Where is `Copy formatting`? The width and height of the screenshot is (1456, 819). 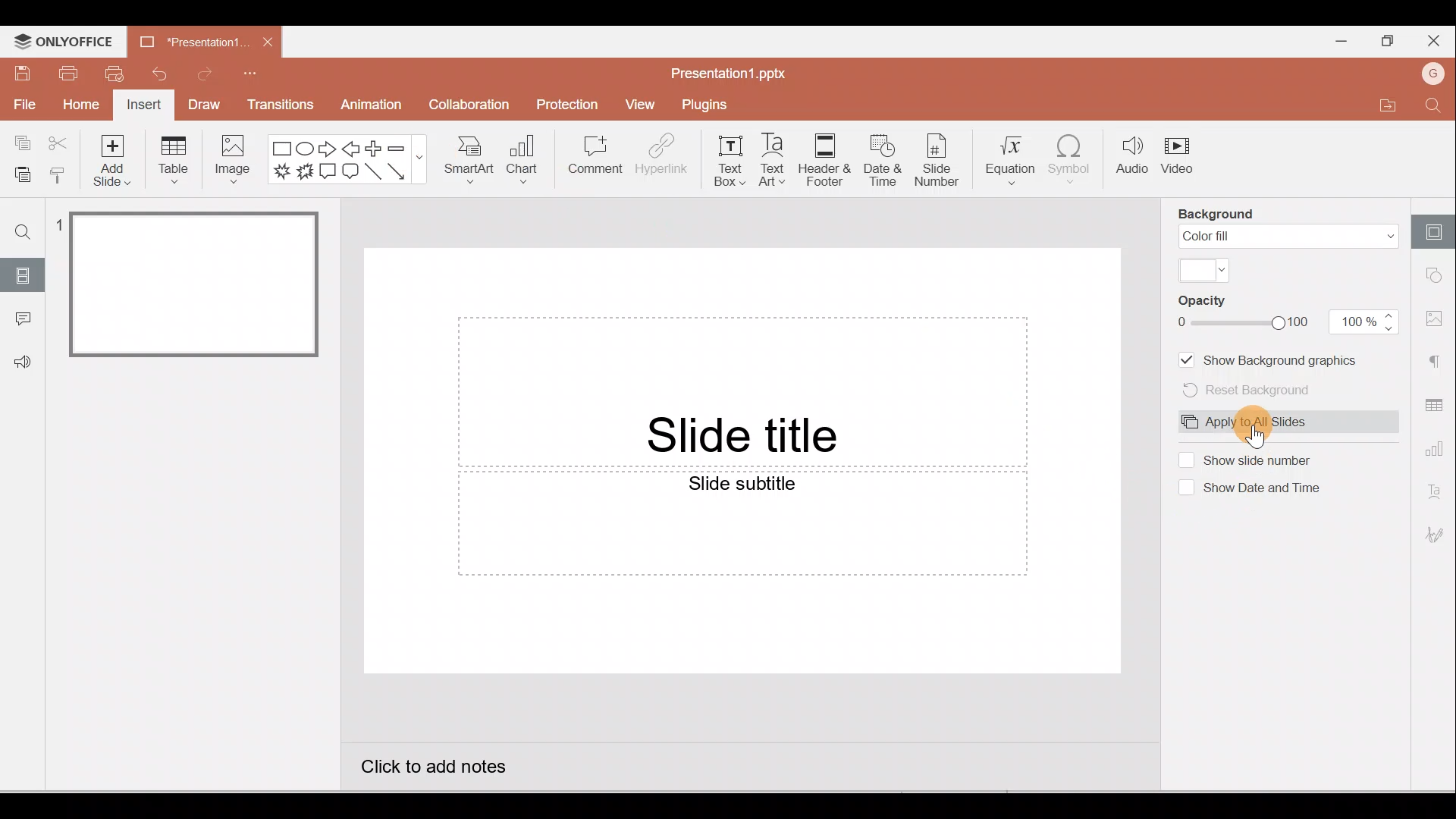
Copy formatting is located at coordinates (58, 172).